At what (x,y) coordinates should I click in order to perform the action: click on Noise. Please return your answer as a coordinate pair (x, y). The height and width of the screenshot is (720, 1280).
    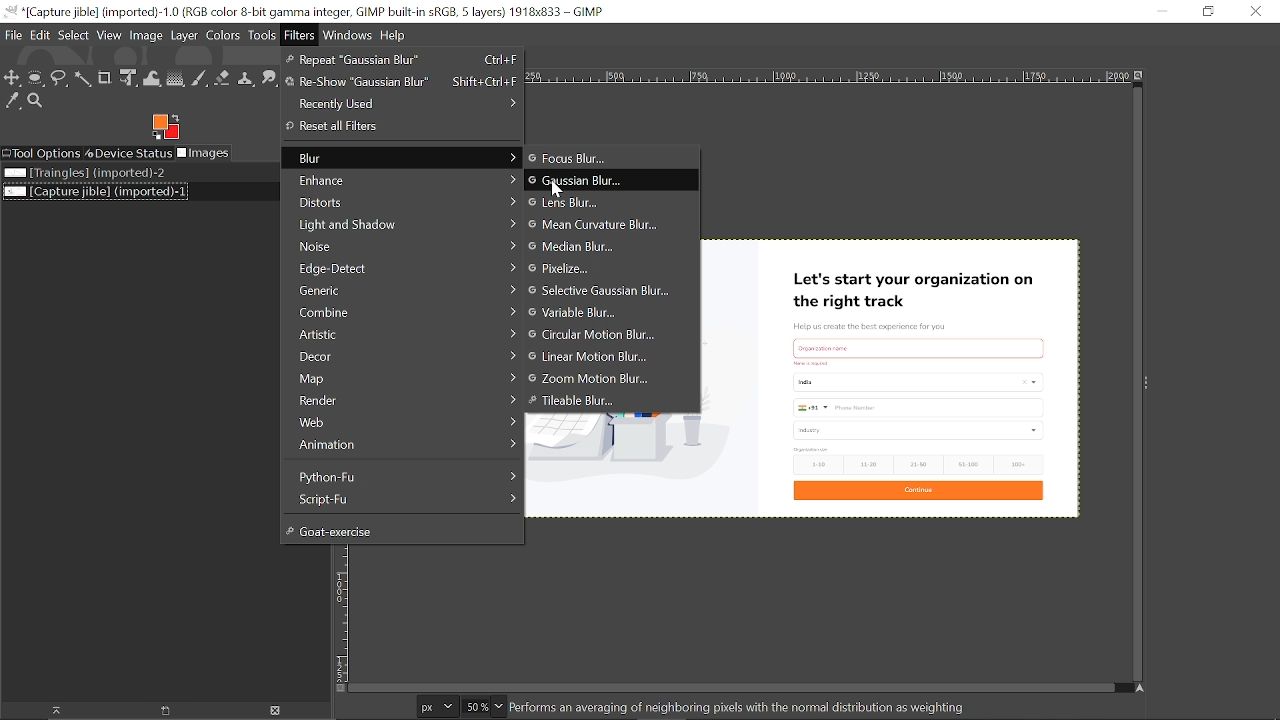
    Looking at the image, I should click on (402, 246).